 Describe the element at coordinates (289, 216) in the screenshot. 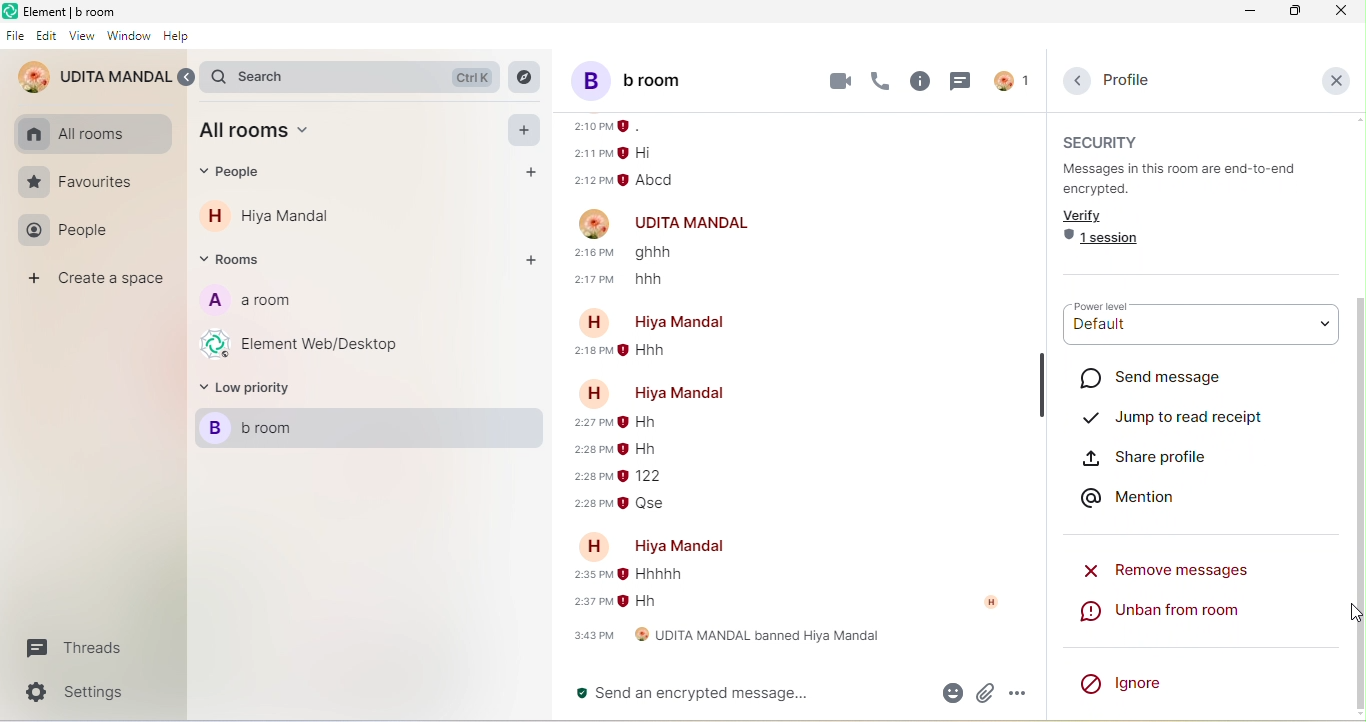

I see `hiya mandal` at that location.